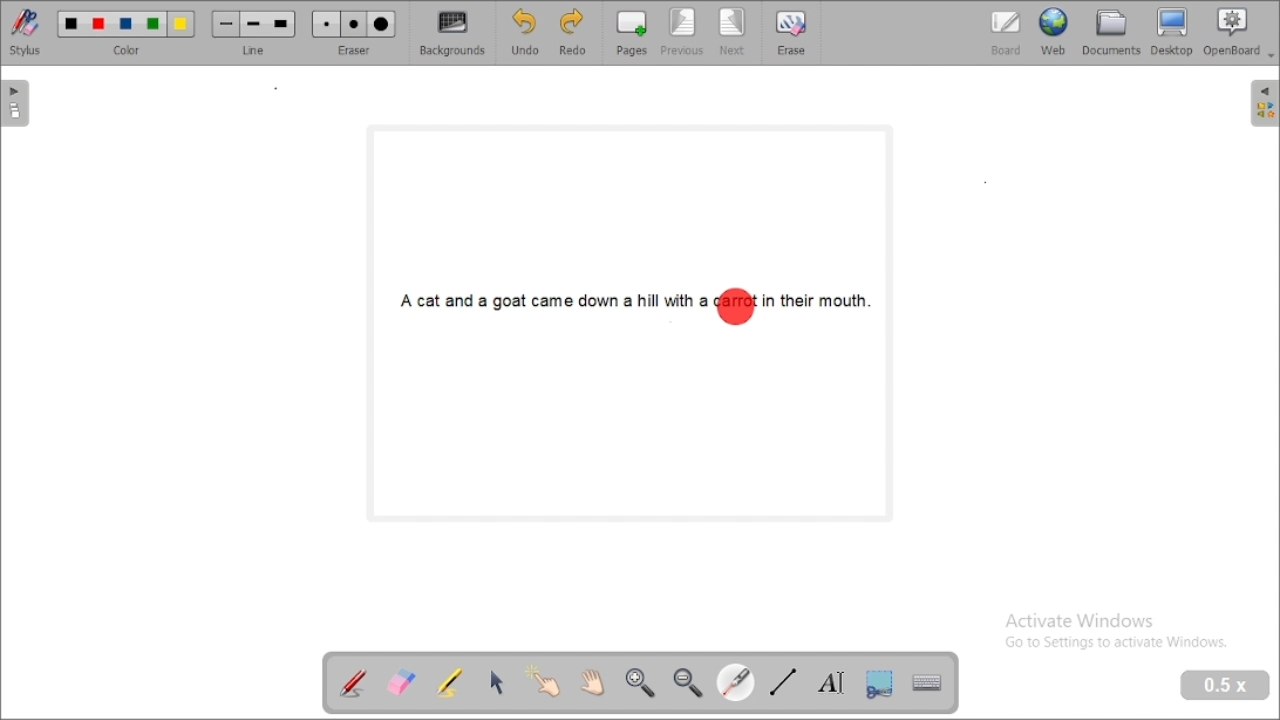 This screenshot has height=720, width=1280. I want to click on board, so click(1005, 34).